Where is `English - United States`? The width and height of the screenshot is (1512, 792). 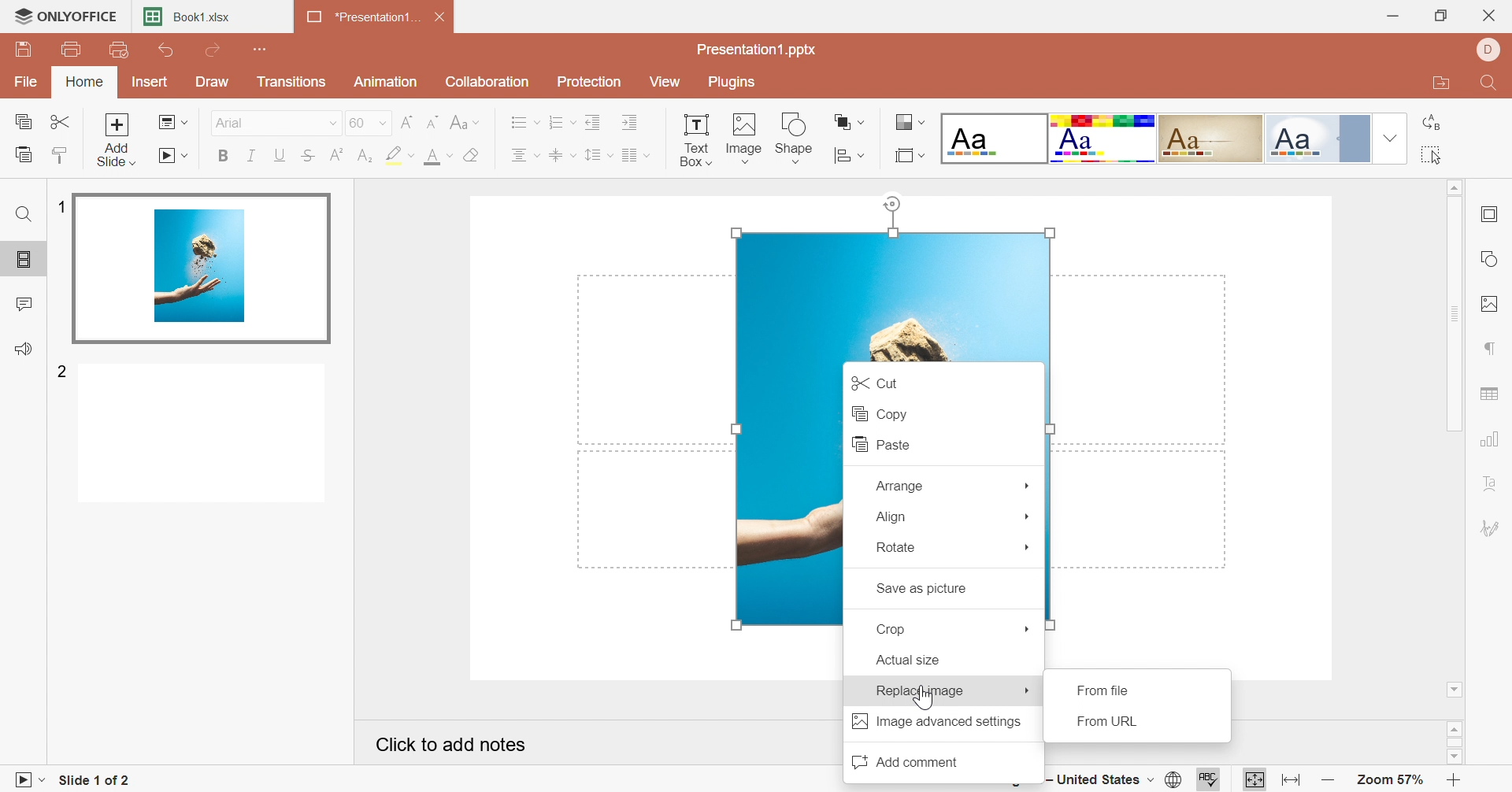
English - United States is located at coordinates (1099, 782).